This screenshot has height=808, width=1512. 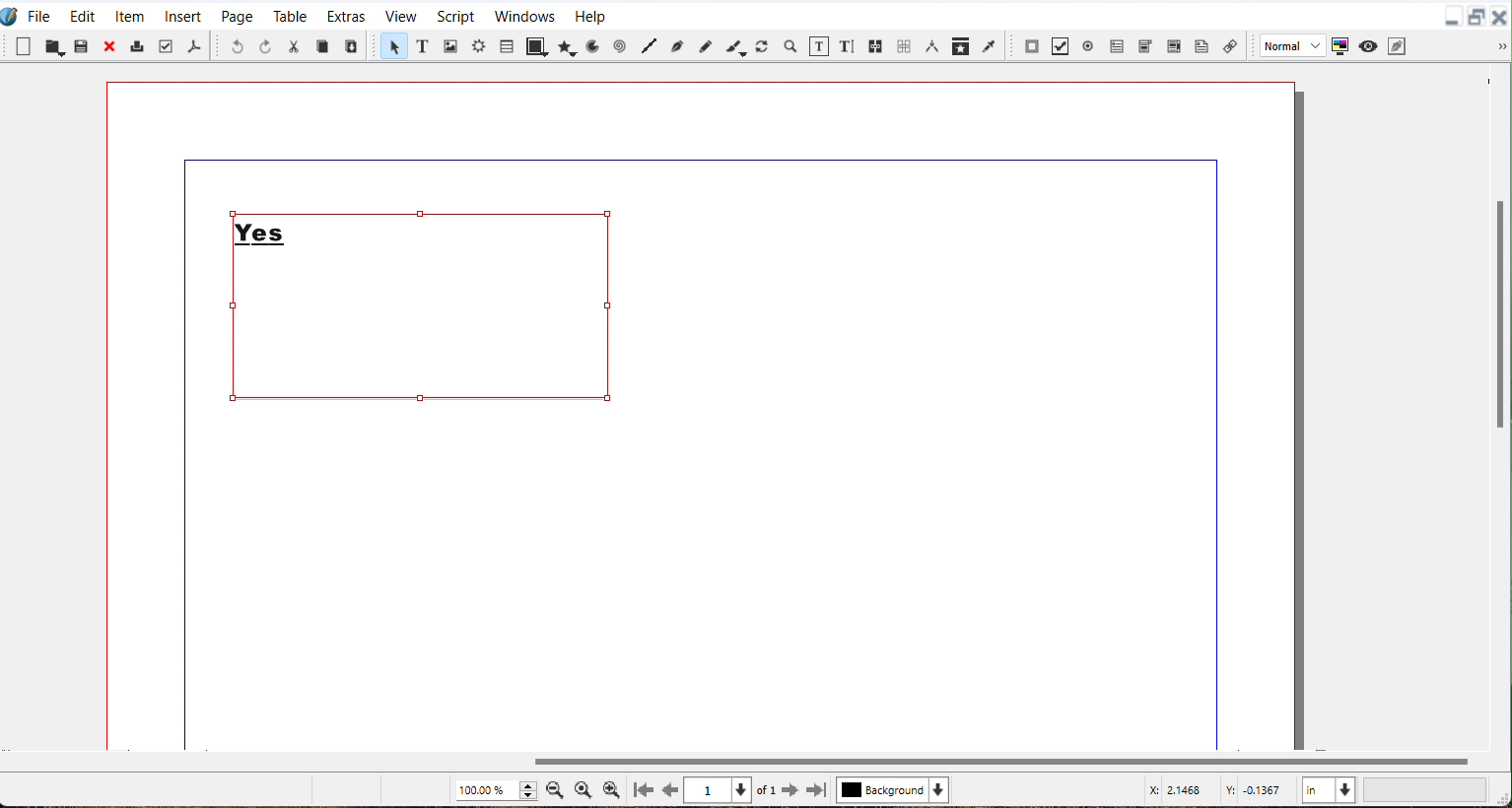 I want to click on Image Preview Quality, so click(x=1290, y=45).